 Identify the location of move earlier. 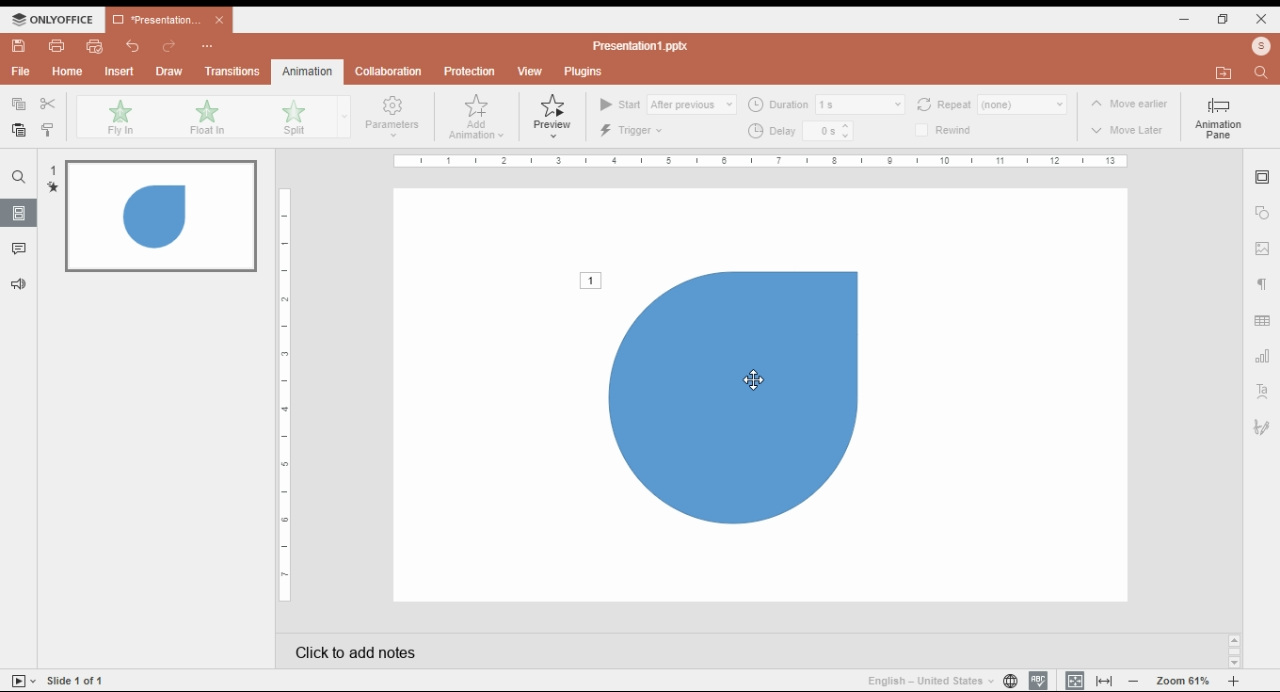
(1128, 105).